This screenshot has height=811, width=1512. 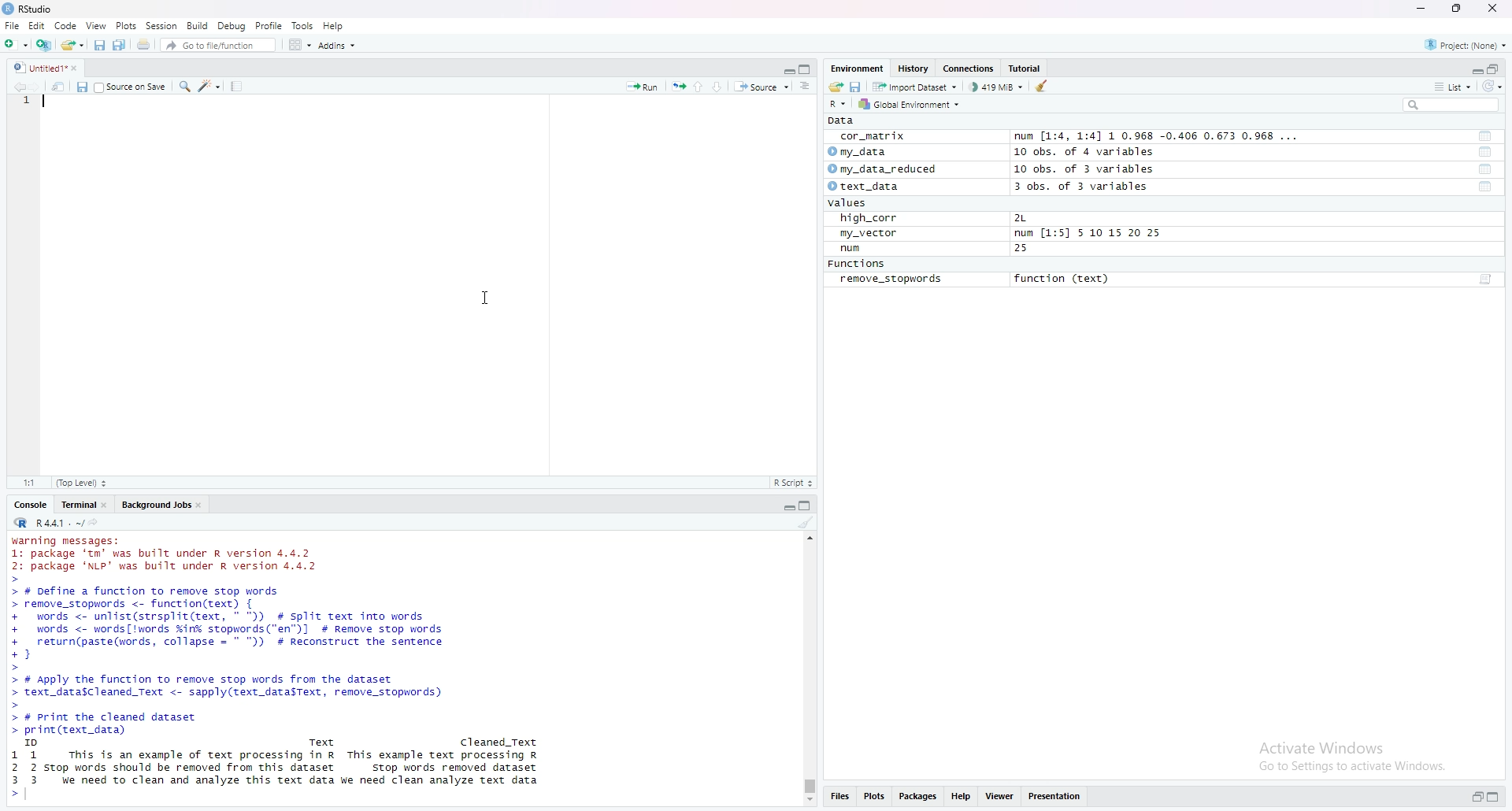 What do you see at coordinates (143, 45) in the screenshot?
I see `Print` at bounding box center [143, 45].